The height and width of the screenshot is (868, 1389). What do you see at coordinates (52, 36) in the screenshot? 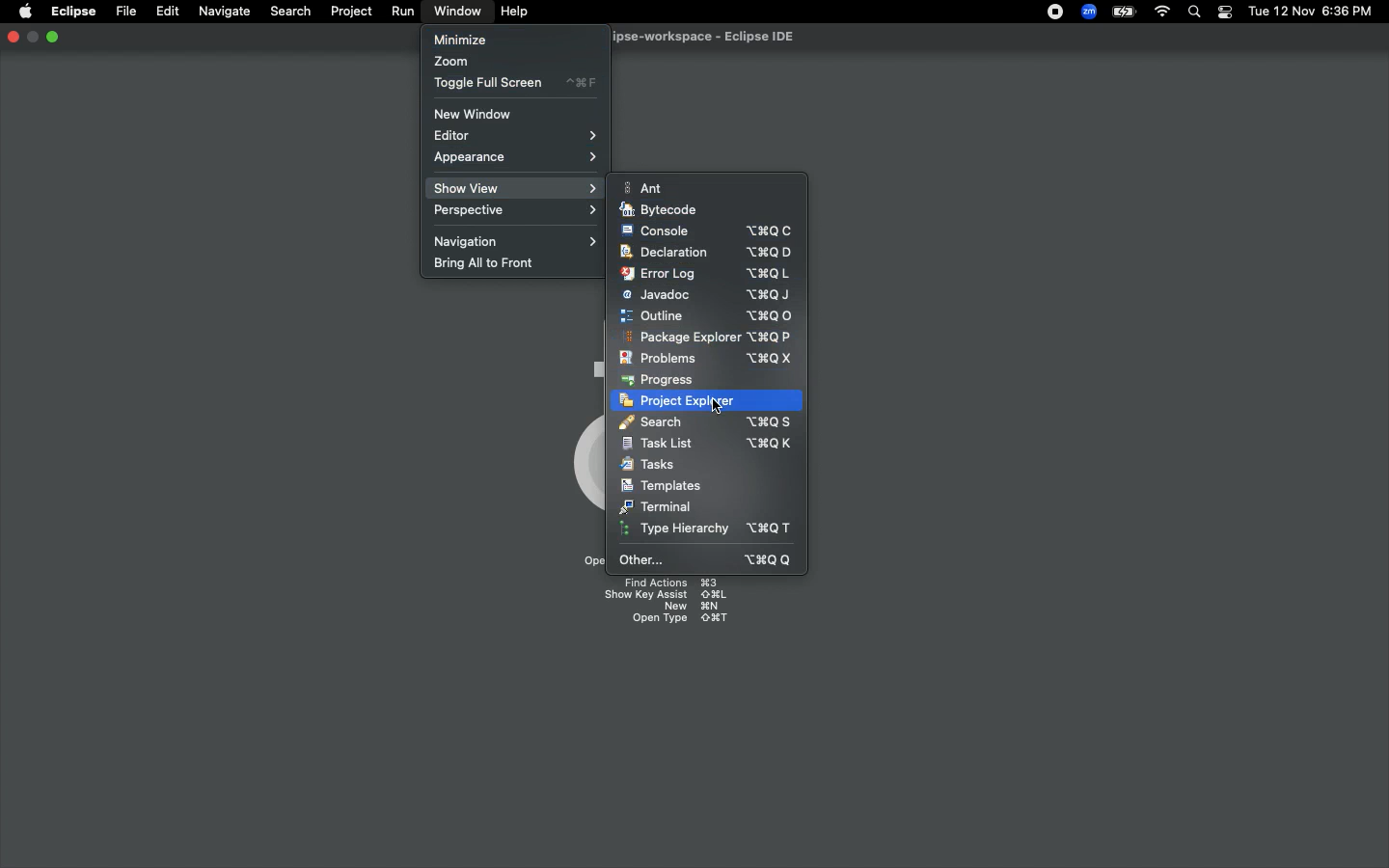
I see `Minimize` at bounding box center [52, 36].